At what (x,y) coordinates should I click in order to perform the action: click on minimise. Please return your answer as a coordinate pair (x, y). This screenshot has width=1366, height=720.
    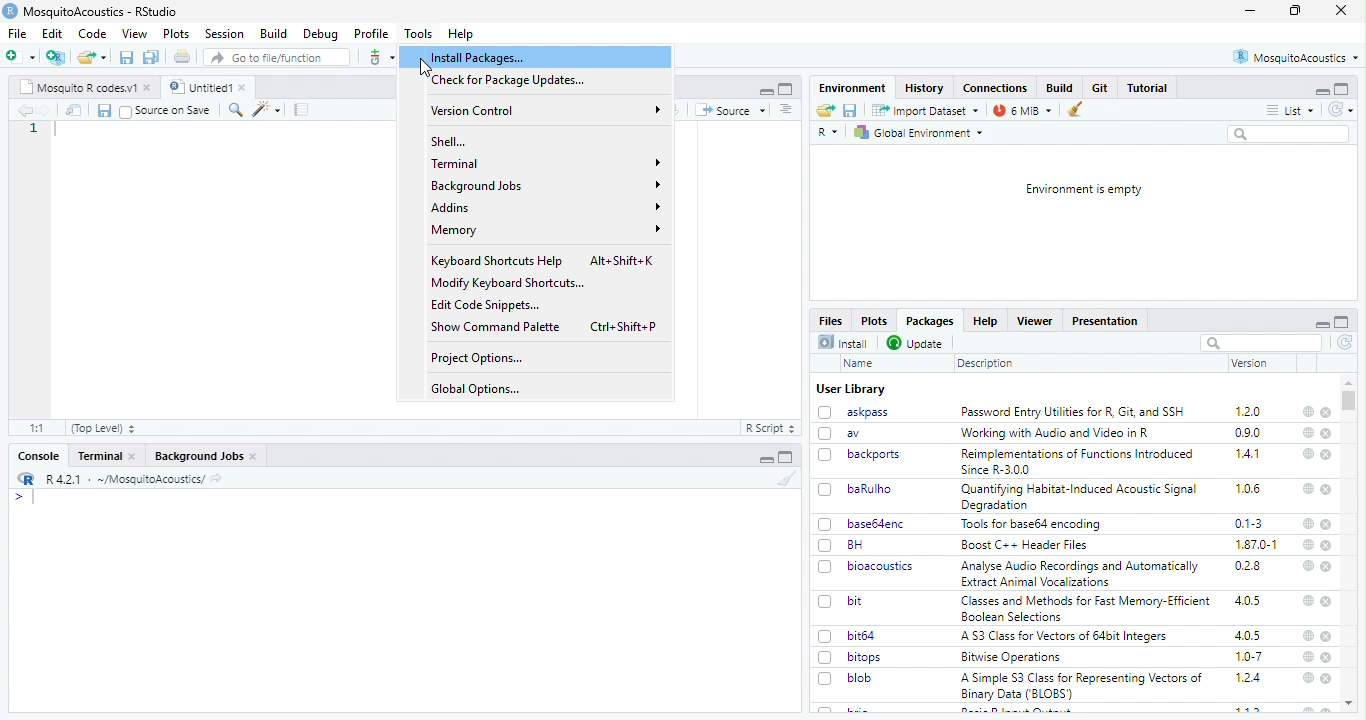
    Looking at the image, I should click on (1251, 11).